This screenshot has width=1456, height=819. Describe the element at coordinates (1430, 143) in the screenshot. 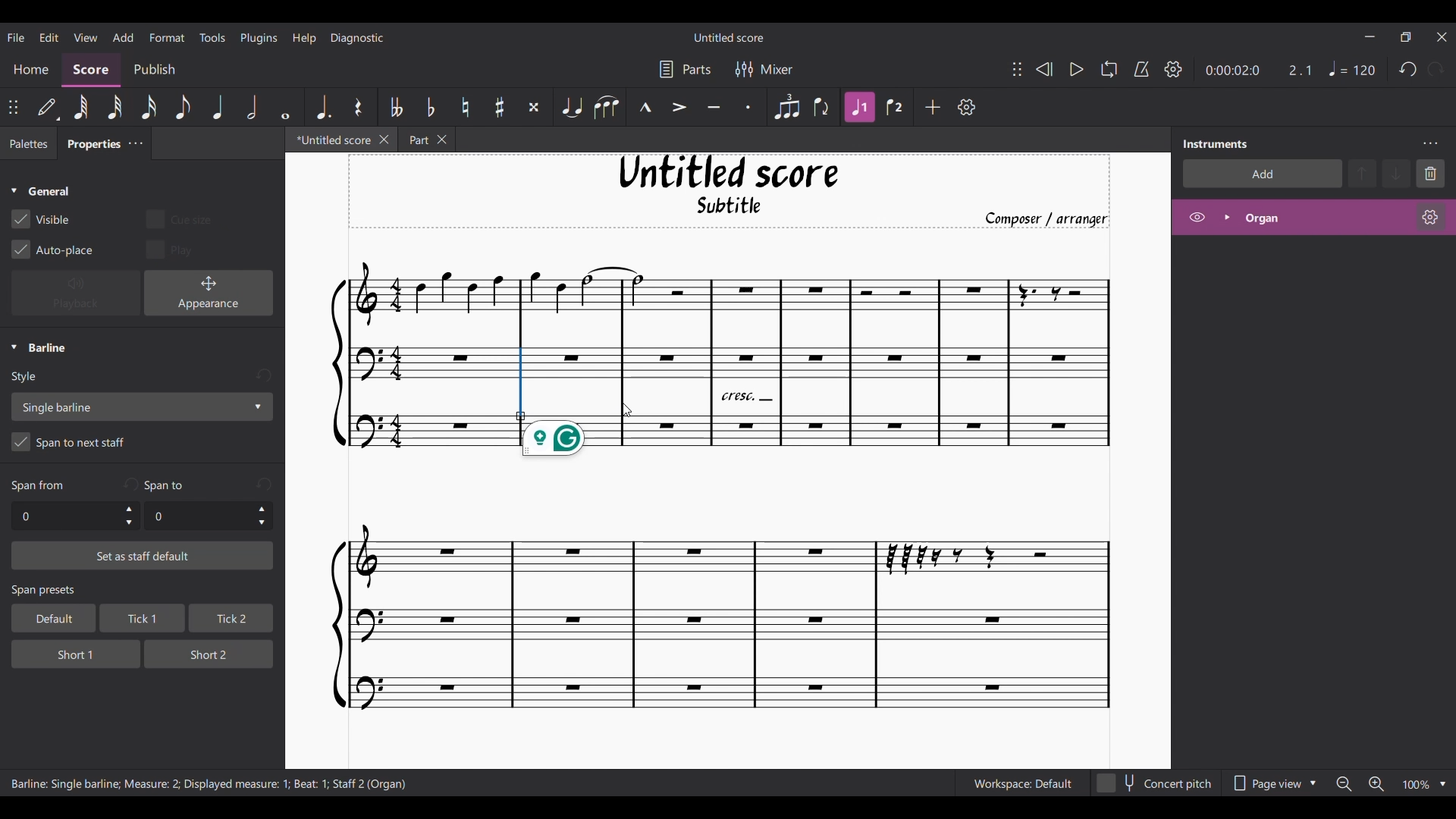

I see `Instruments panel settings` at that location.